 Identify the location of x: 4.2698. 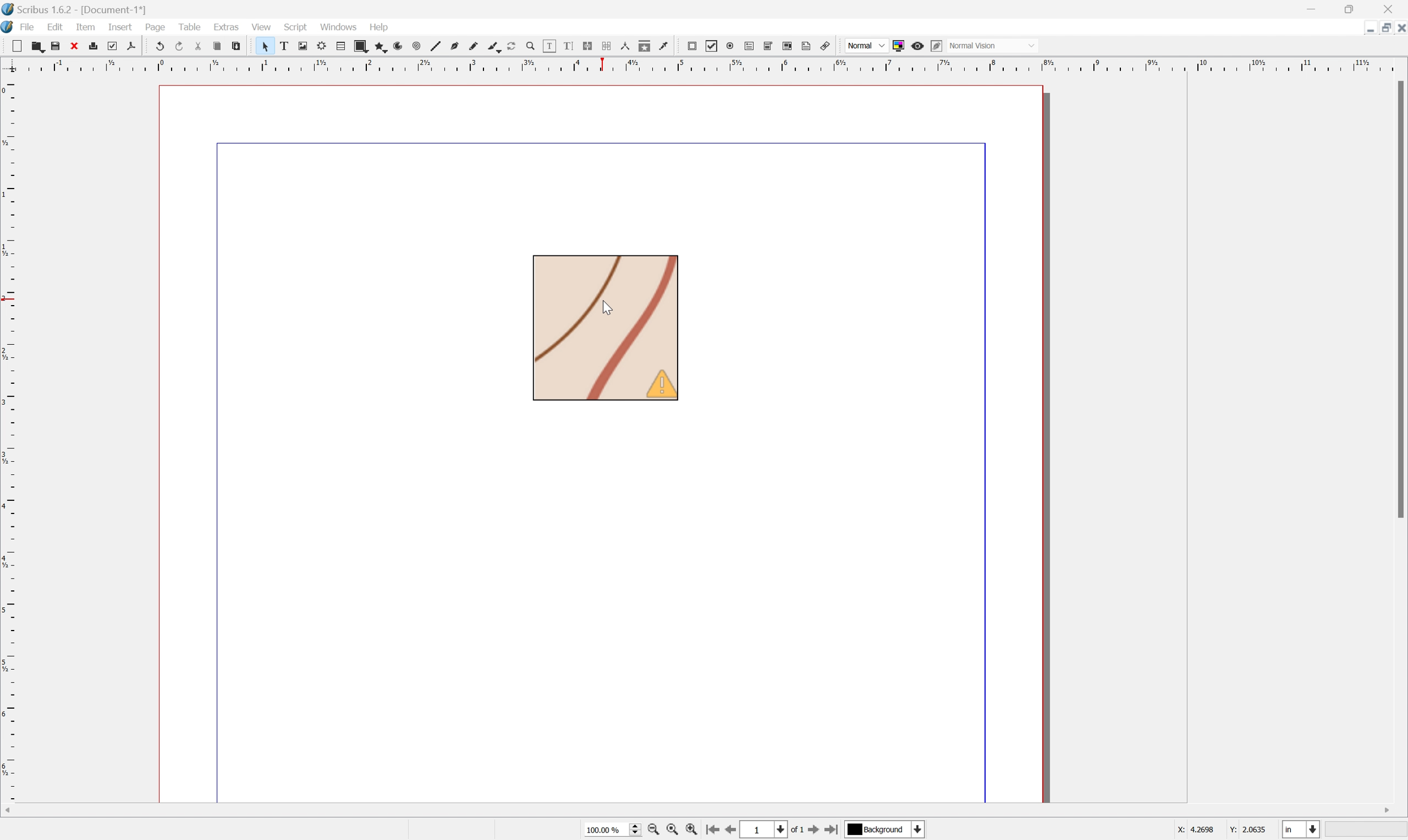
(1192, 830).